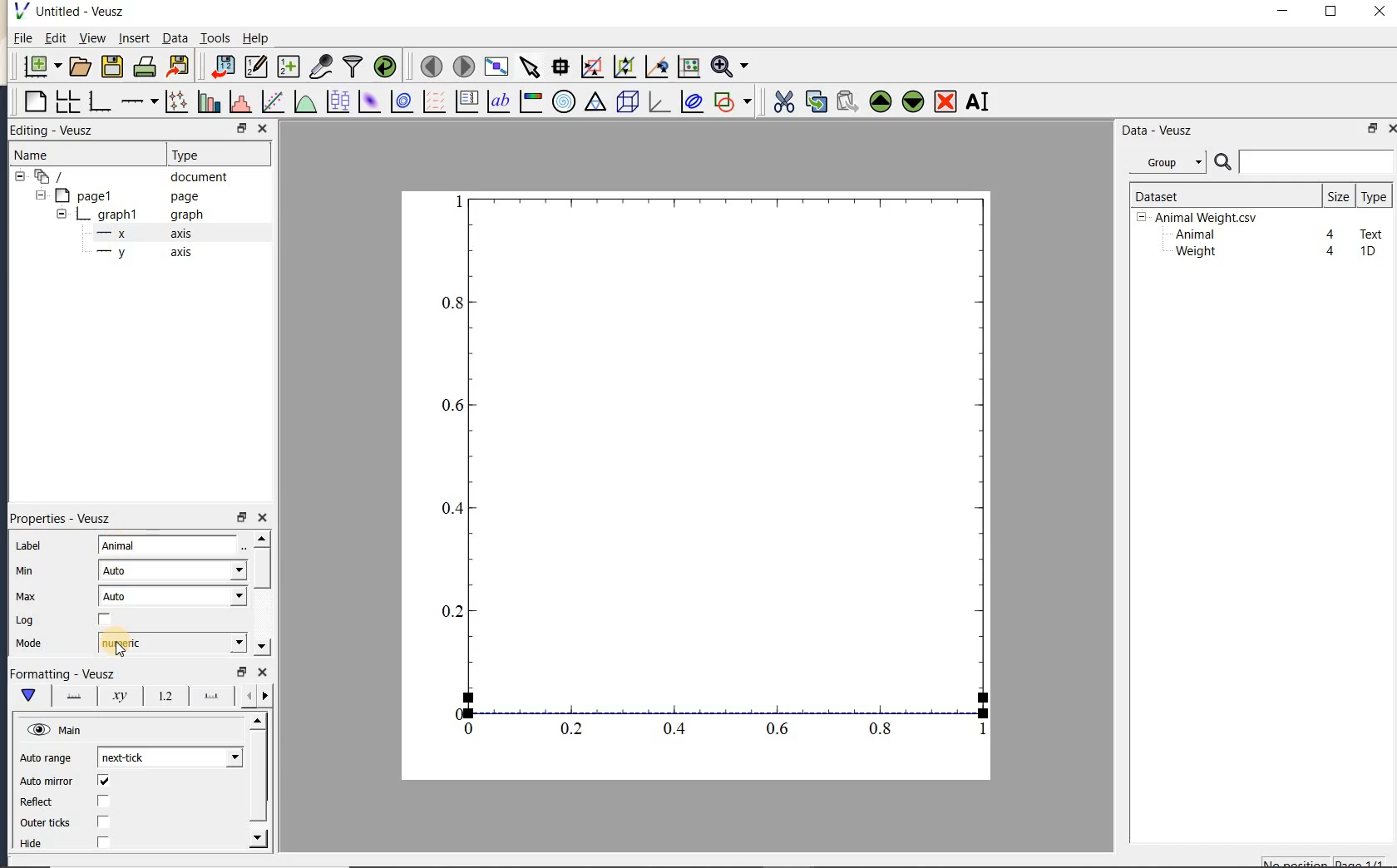 This screenshot has height=868, width=1397. What do you see at coordinates (321, 66) in the screenshot?
I see `capture remote data` at bounding box center [321, 66].